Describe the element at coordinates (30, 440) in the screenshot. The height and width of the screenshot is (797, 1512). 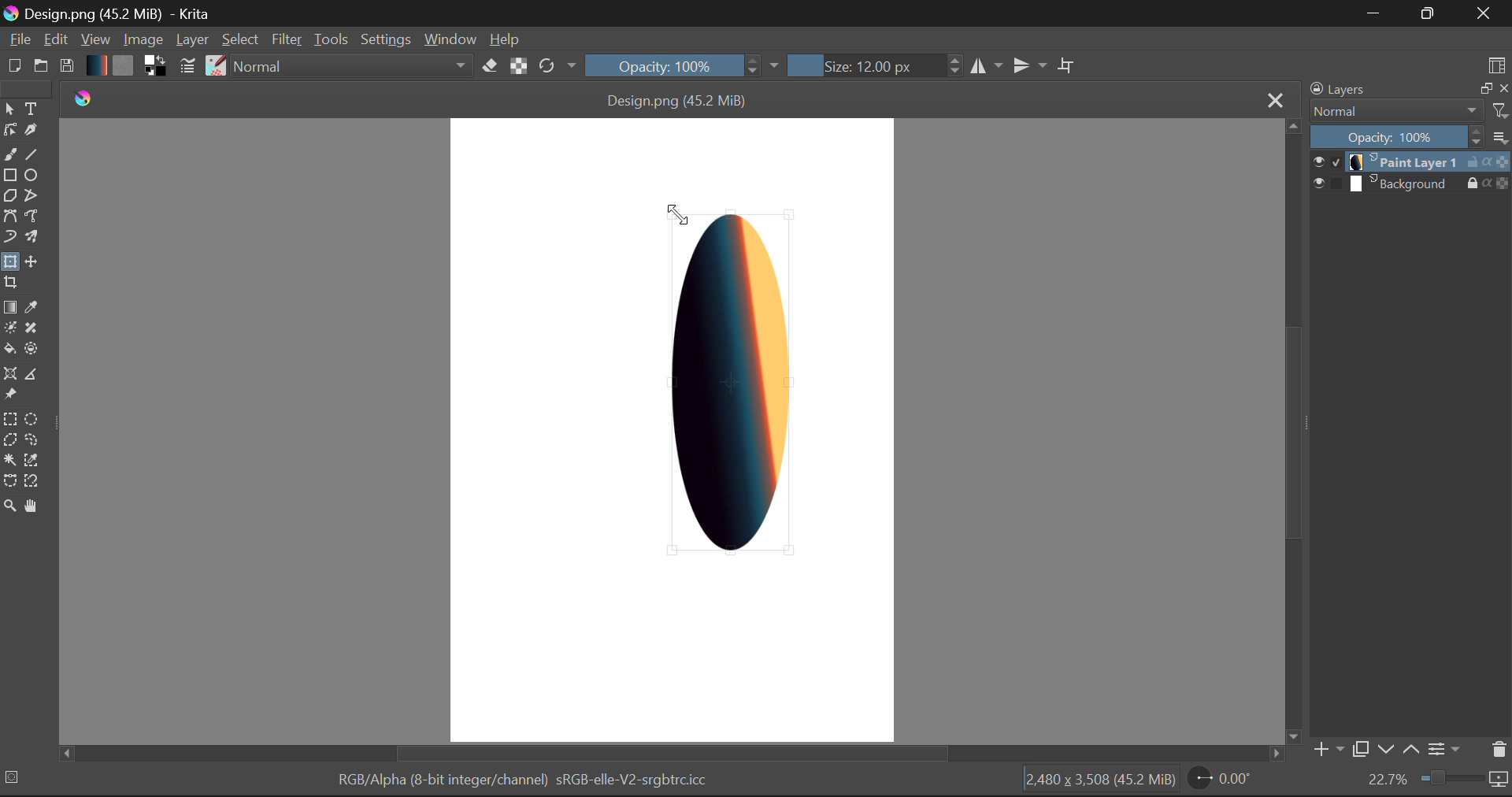
I see `Freehand Selection` at that location.